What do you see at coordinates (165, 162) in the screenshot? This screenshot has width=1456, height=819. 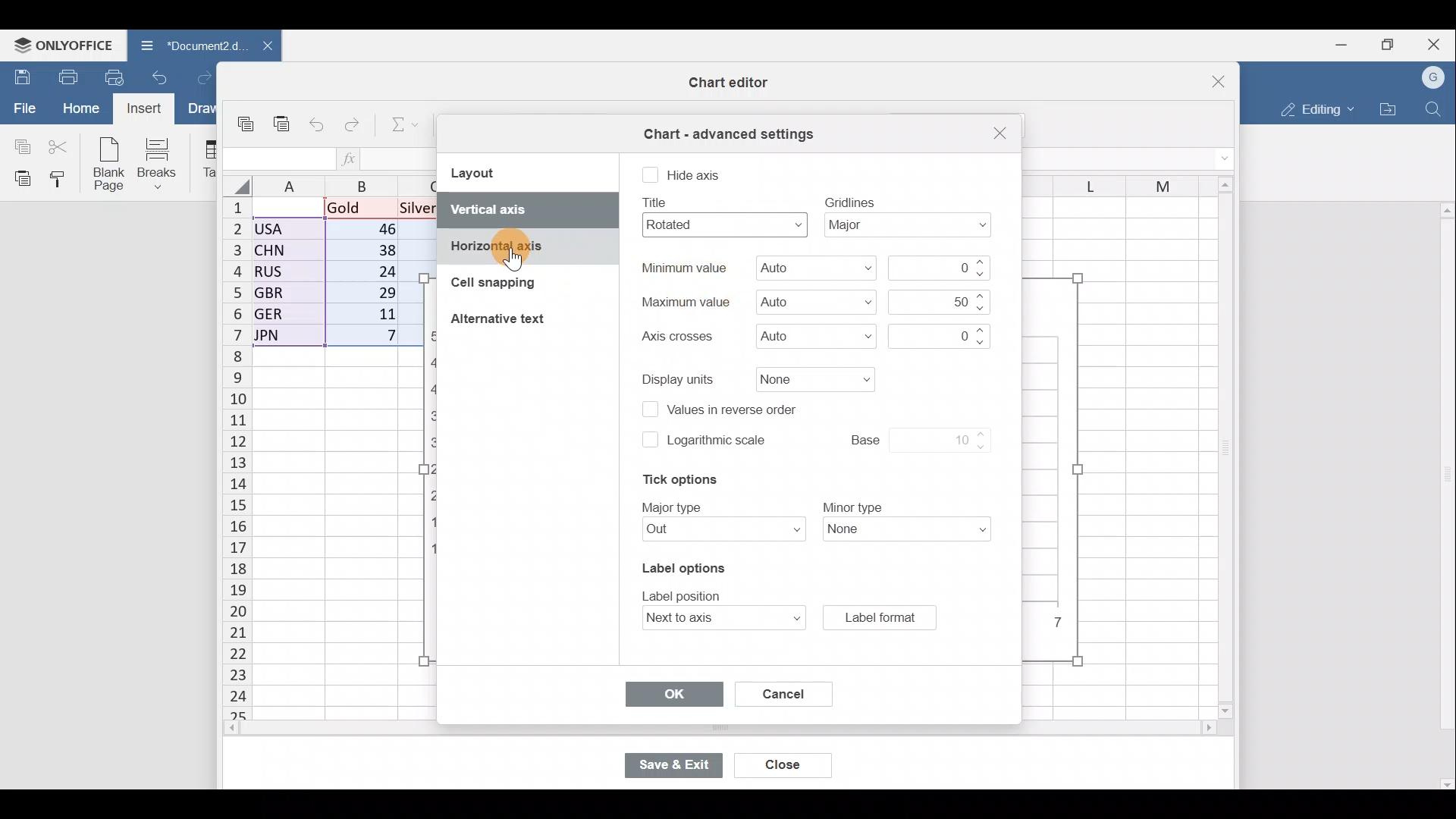 I see `Breaks` at bounding box center [165, 162].